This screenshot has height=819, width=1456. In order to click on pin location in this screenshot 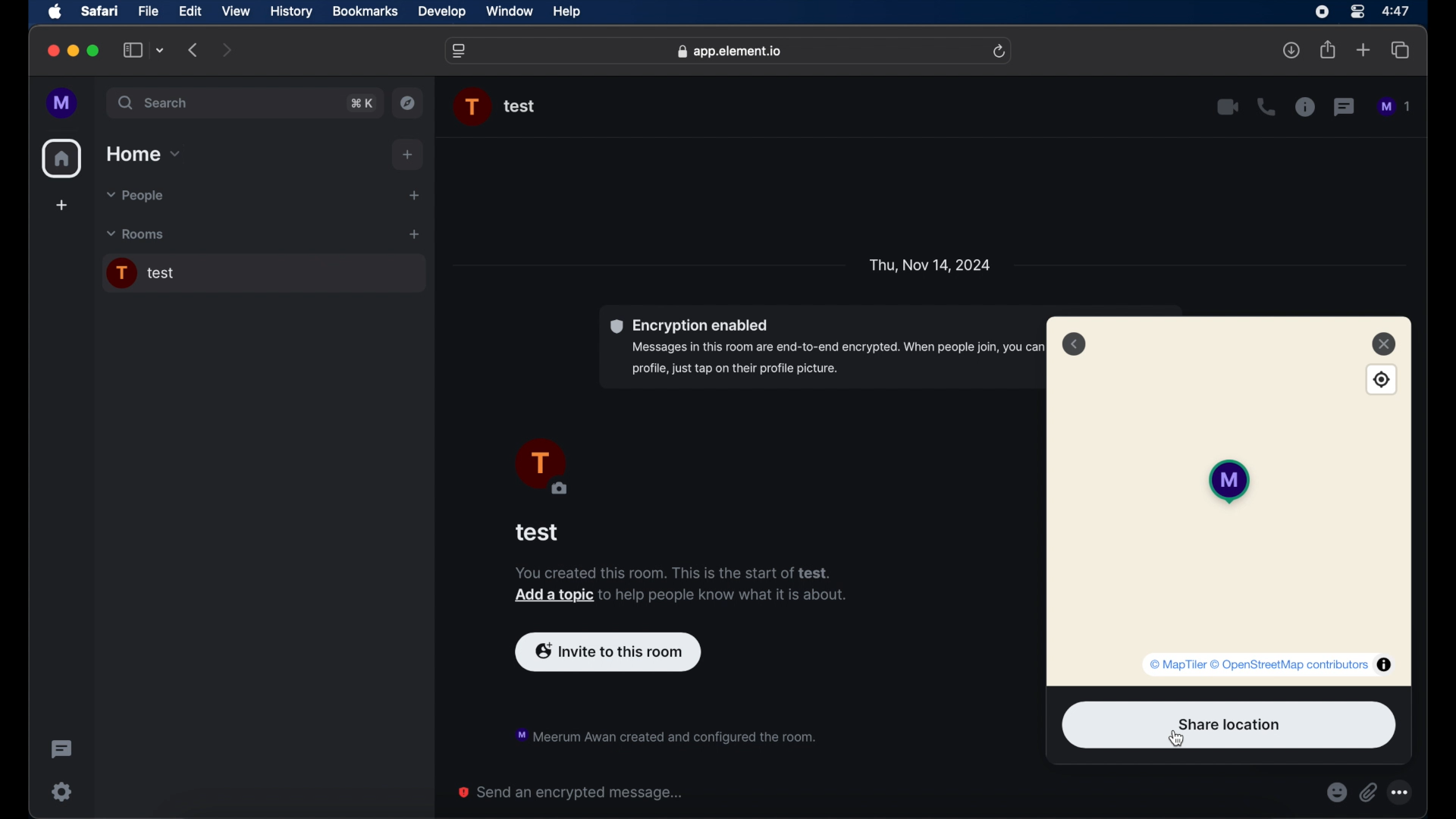, I will do `click(1383, 380)`.